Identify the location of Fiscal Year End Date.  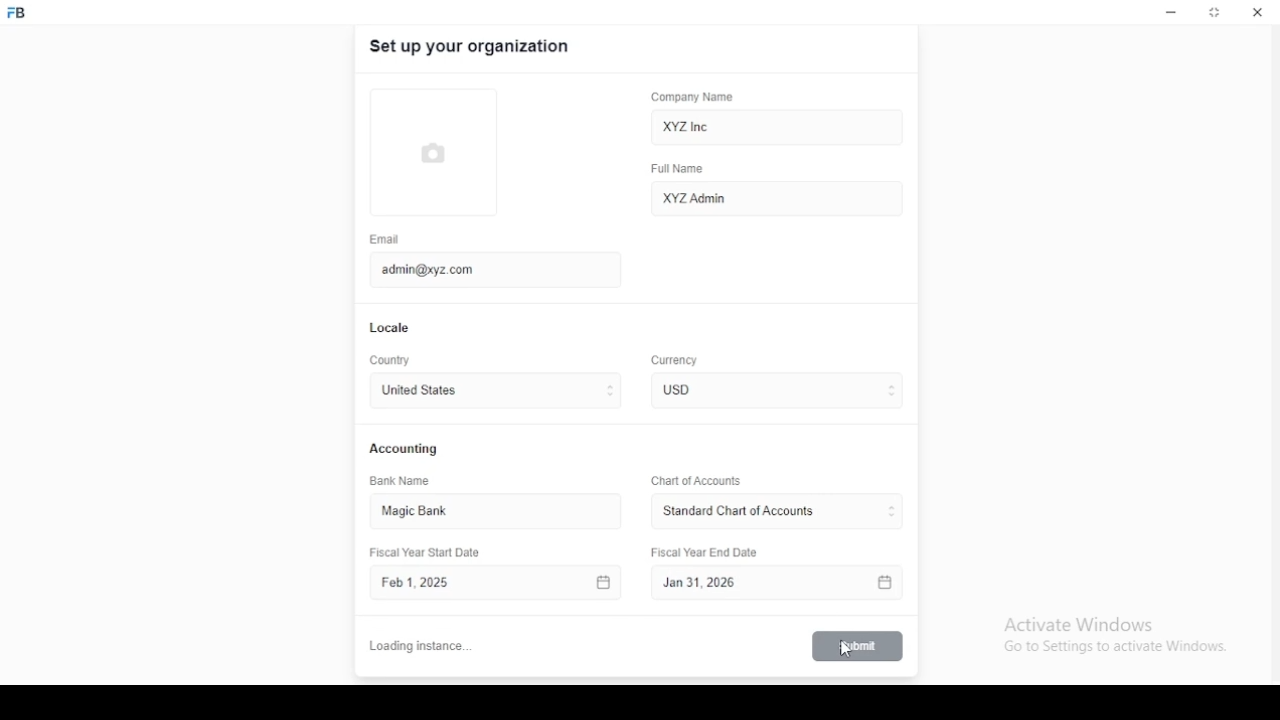
(706, 552).